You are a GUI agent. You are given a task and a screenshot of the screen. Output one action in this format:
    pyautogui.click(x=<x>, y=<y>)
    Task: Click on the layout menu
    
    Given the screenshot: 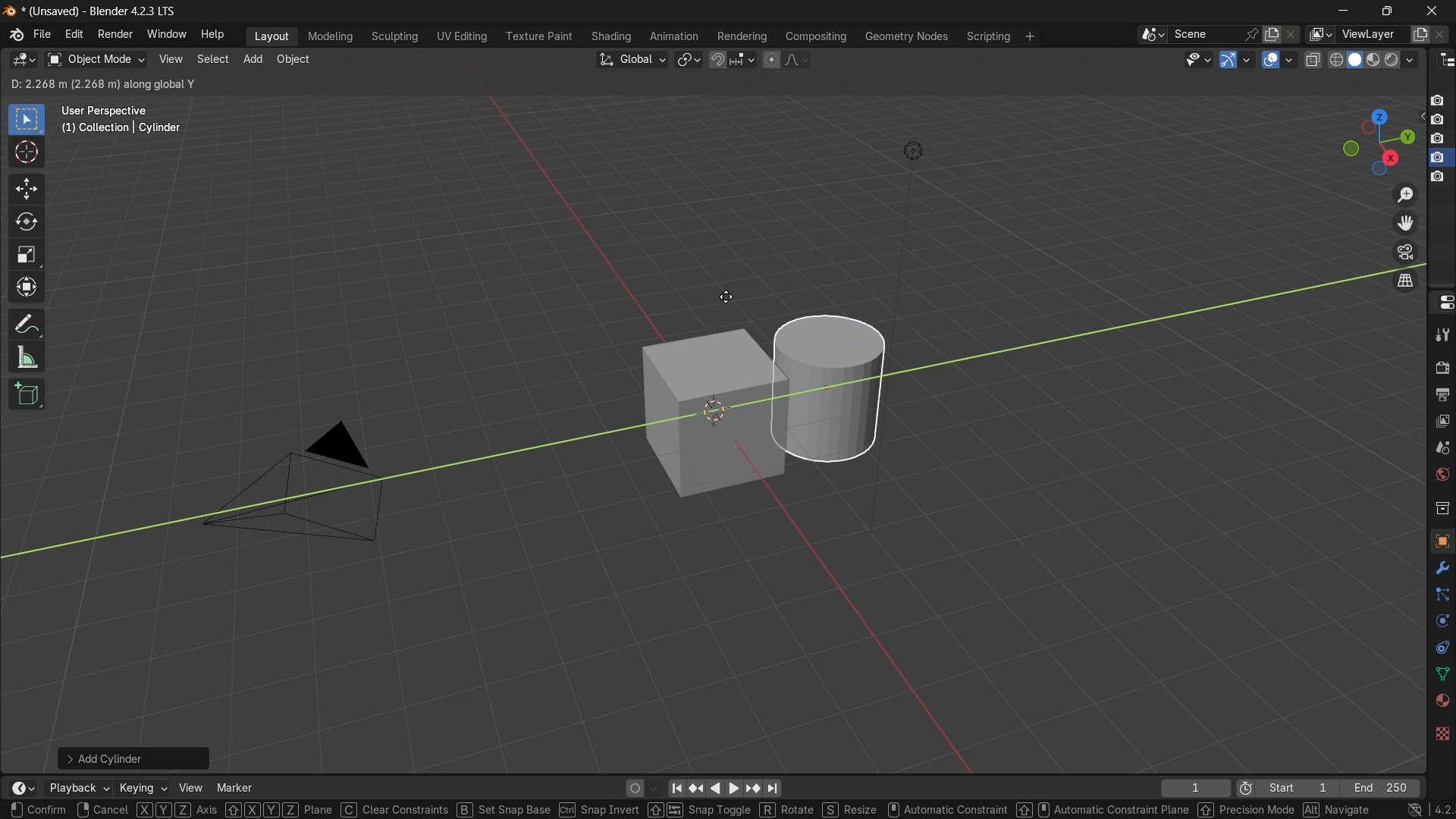 What is the action you would take?
    pyautogui.click(x=273, y=37)
    